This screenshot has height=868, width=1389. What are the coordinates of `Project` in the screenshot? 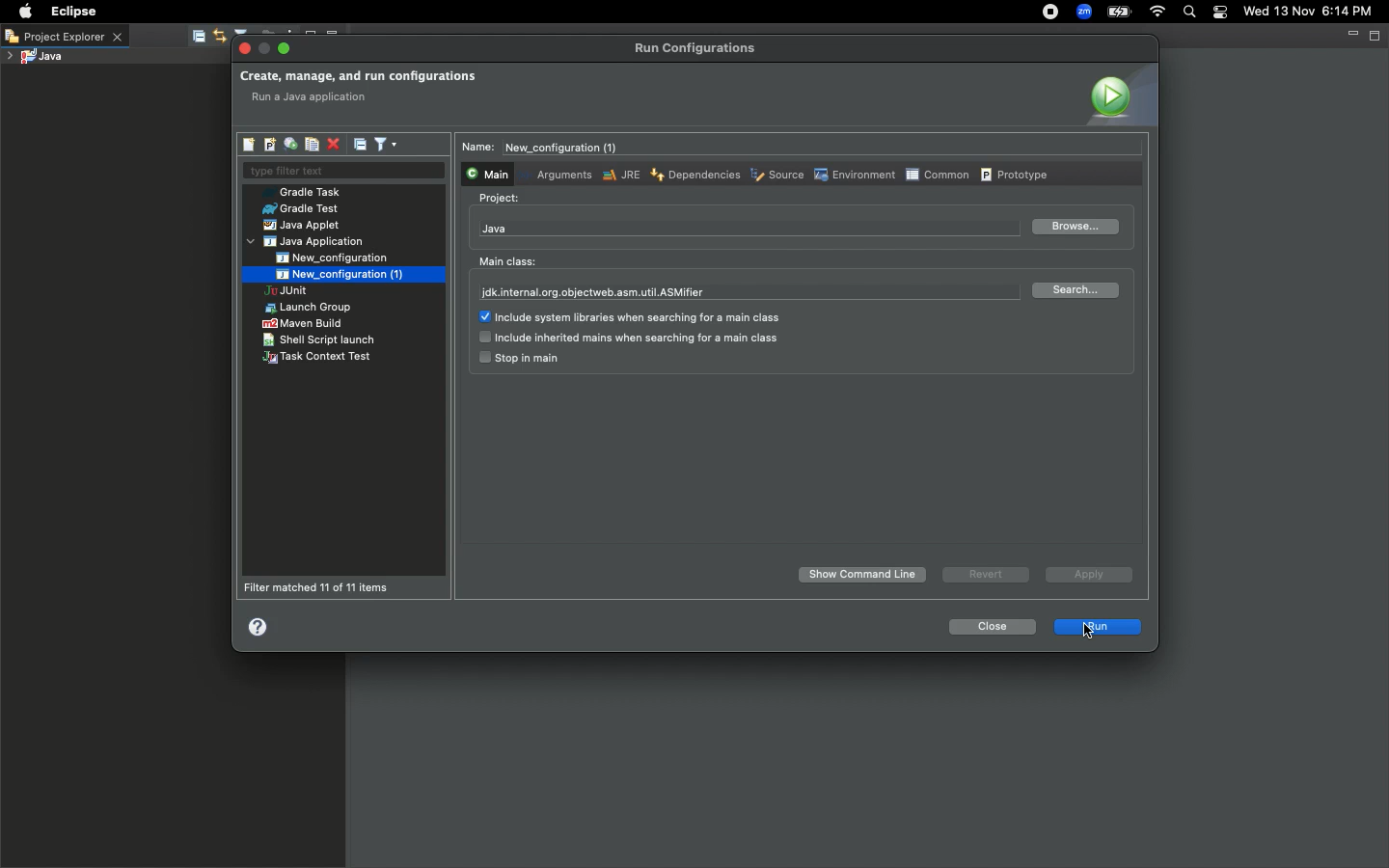 It's located at (500, 199).